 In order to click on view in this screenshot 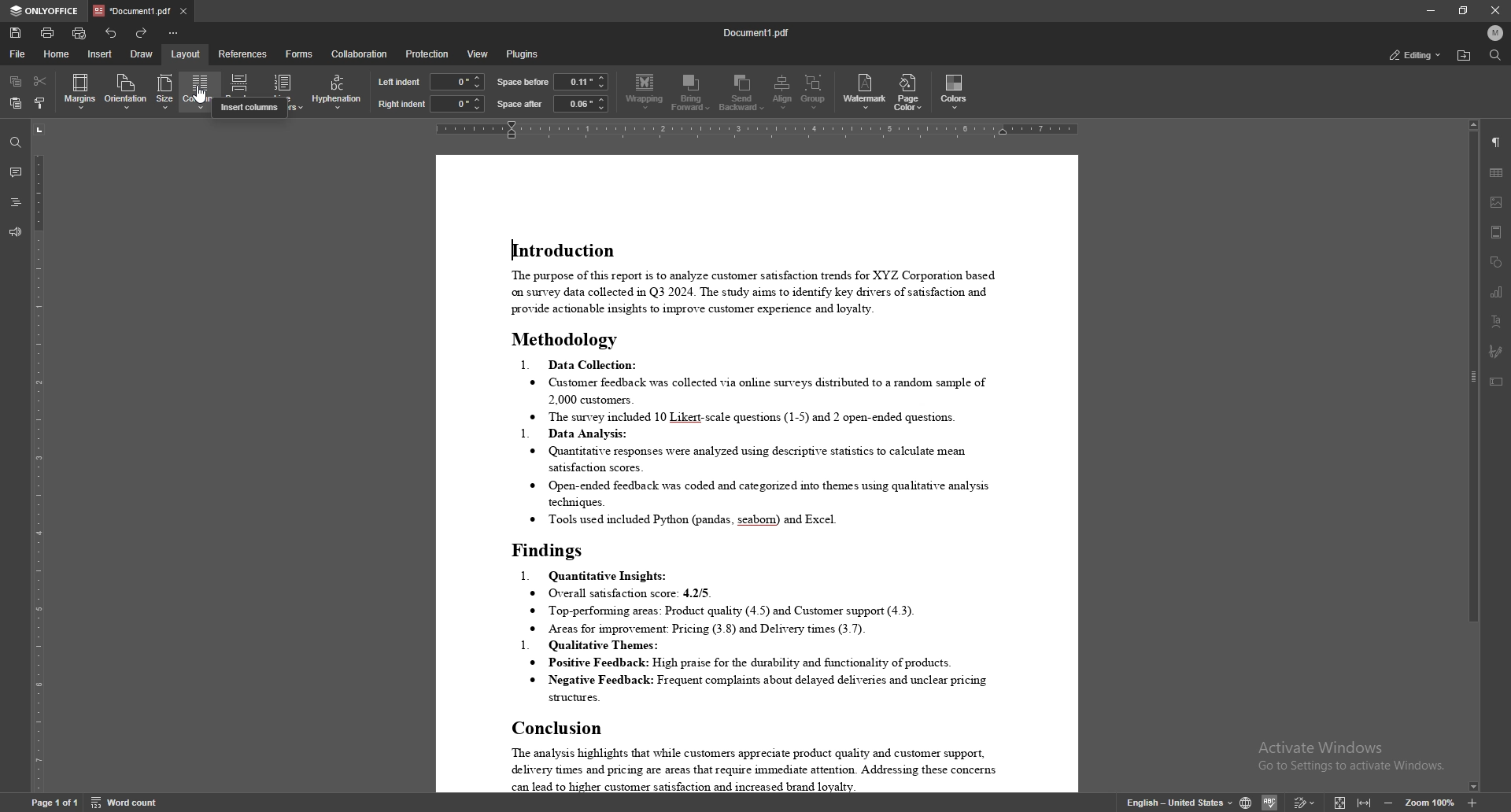, I will do `click(478, 54)`.